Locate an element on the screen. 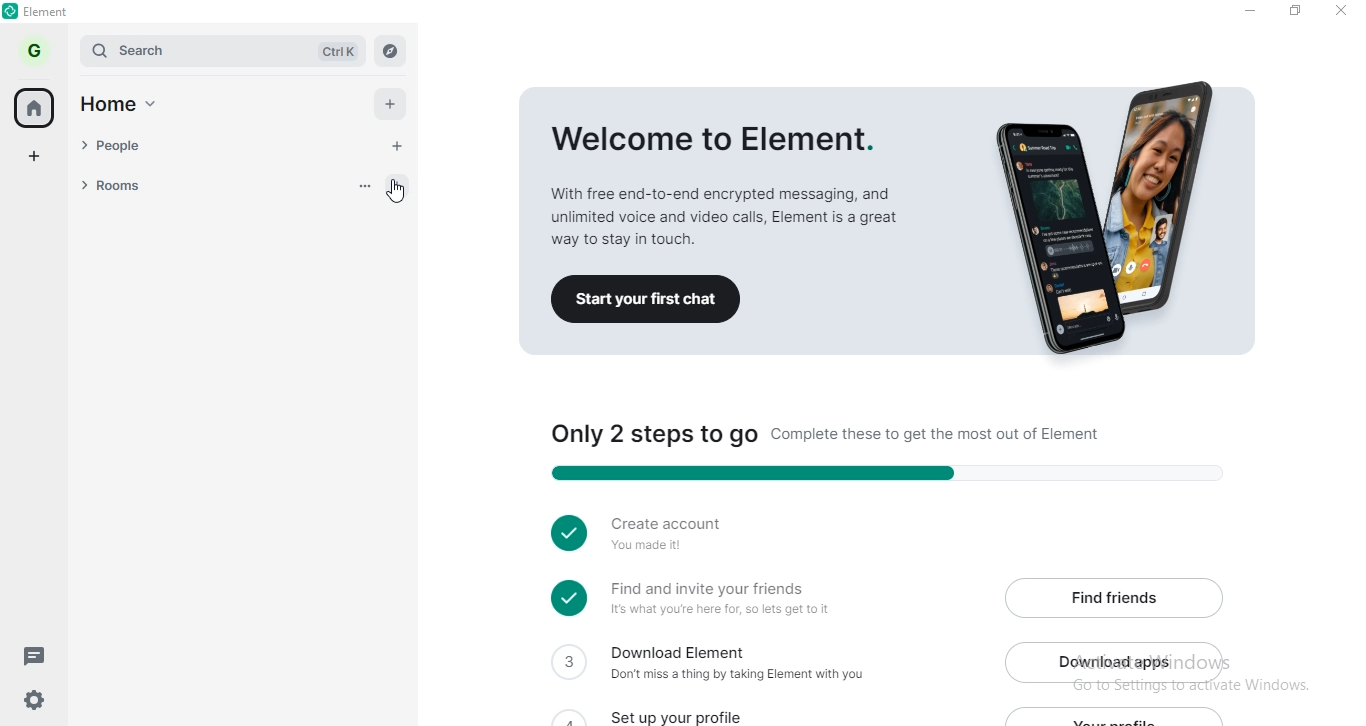 This screenshot has width=1366, height=726. add  is located at coordinates (394, 105).